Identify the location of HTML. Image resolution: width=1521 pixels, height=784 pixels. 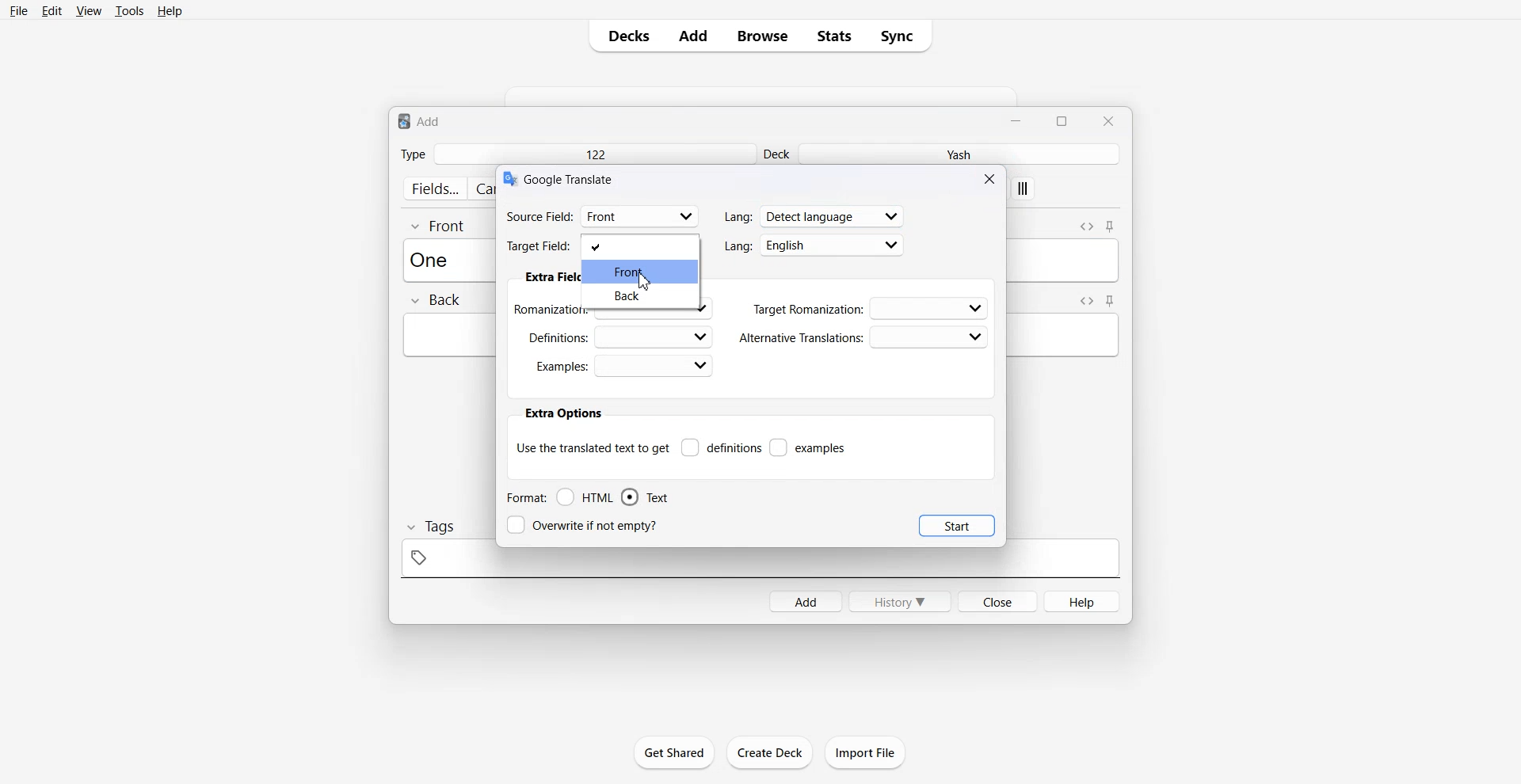
(585, 497).